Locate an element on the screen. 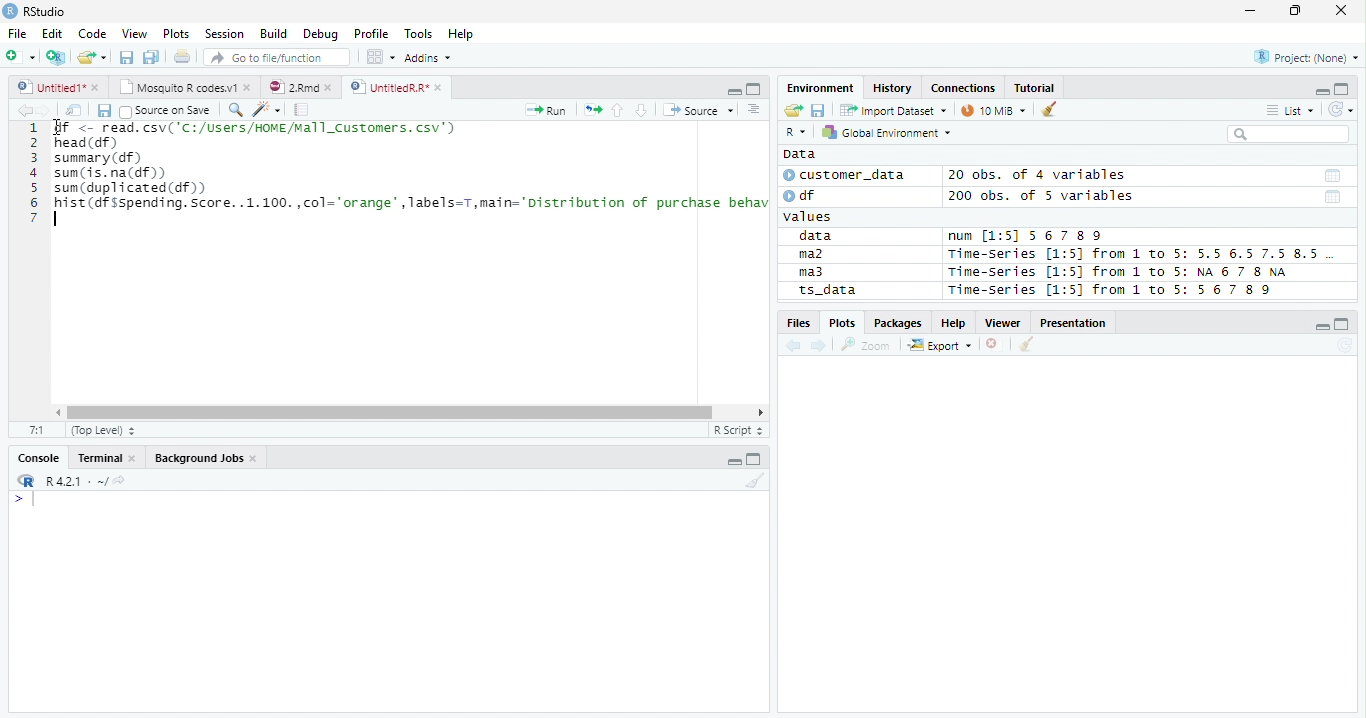 Image resolution: width=1366 pixels, height=718 pixels. Date is located at coordinates (1331, 176).